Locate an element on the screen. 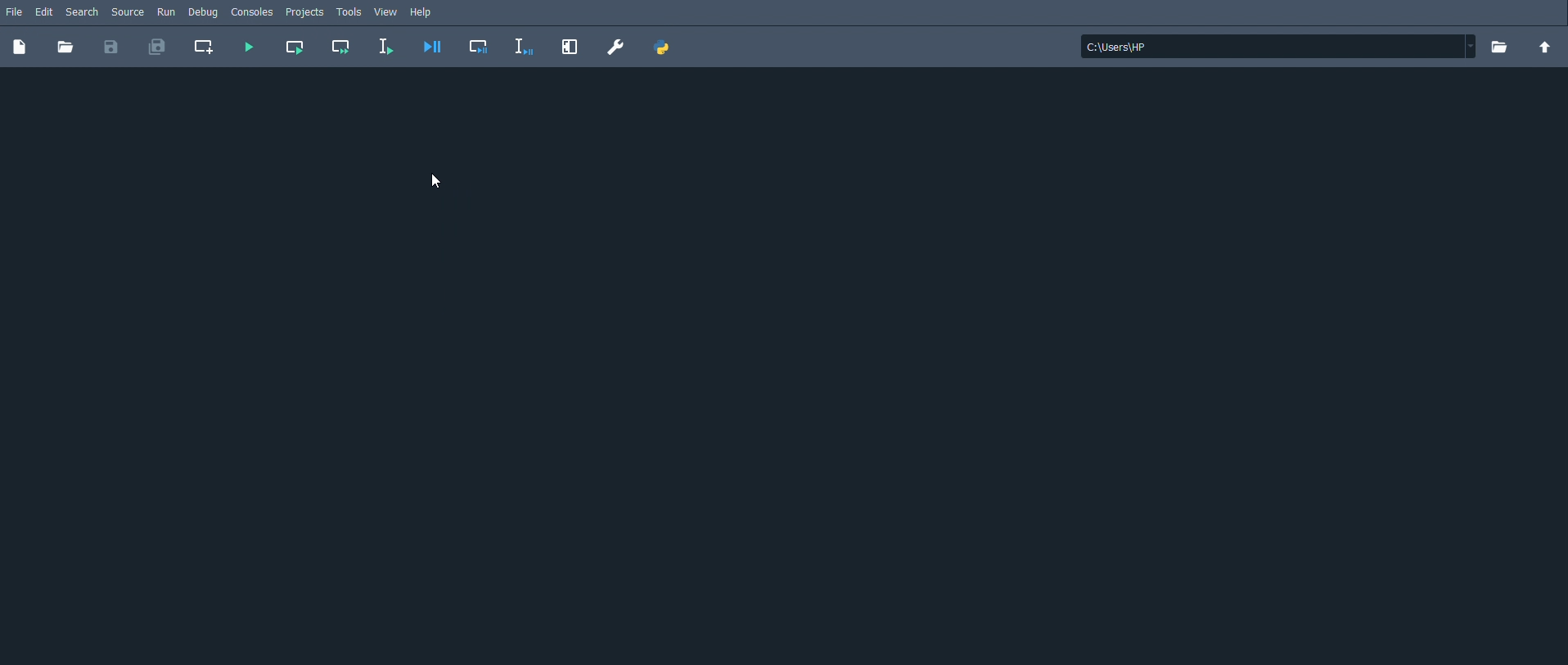 This screenshot has height=665, width=1568. Debug file is located at coordinates (433, 47).